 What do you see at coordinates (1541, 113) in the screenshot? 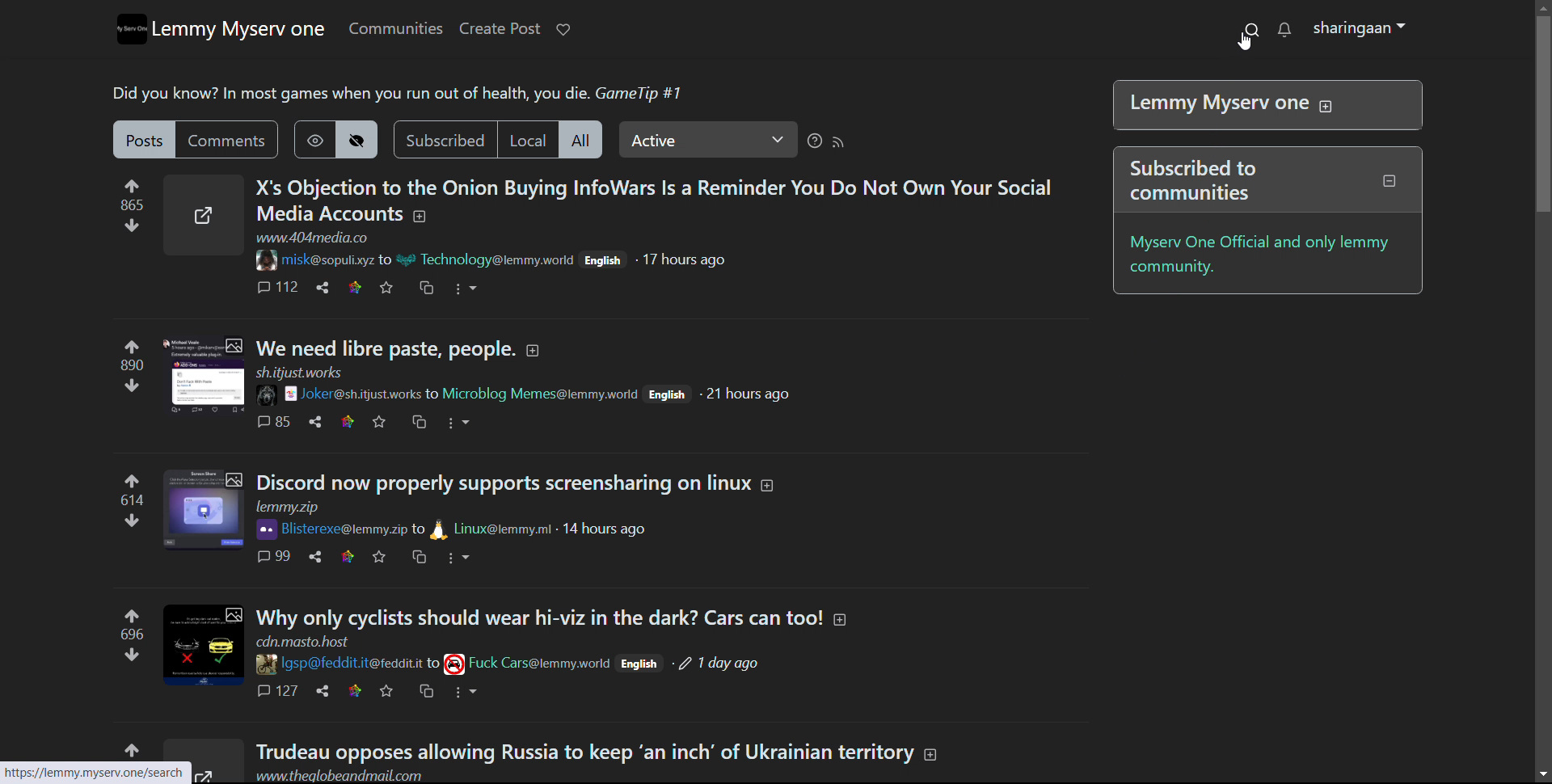
I see `scrollbar` at bounding box center [1541, 113].